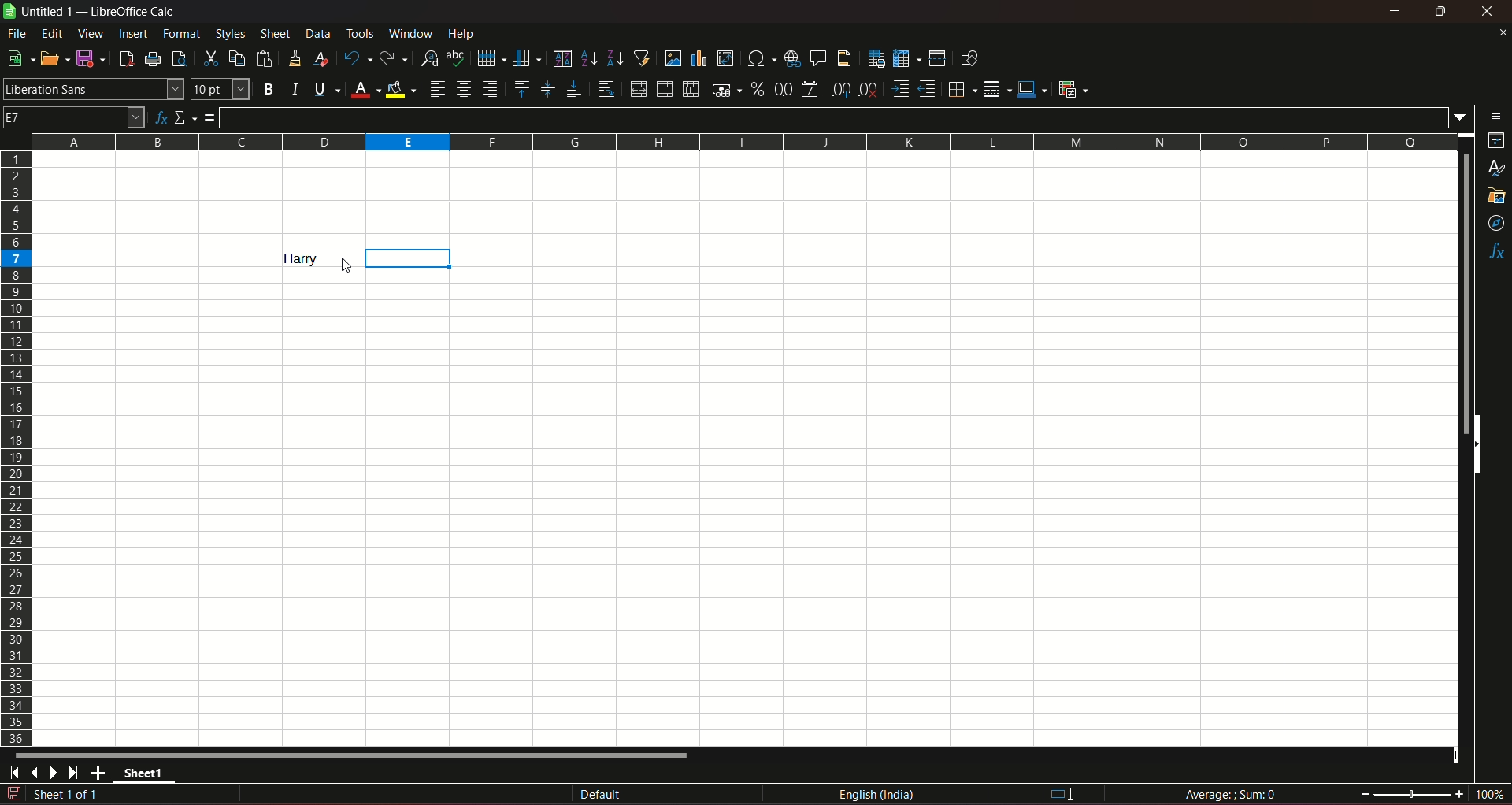 The width and height of the screenshot is (1512, 805). What do you see at coordinates (17, 447) in the screenshot?
I see `rows` at bounding box center [17, 447].